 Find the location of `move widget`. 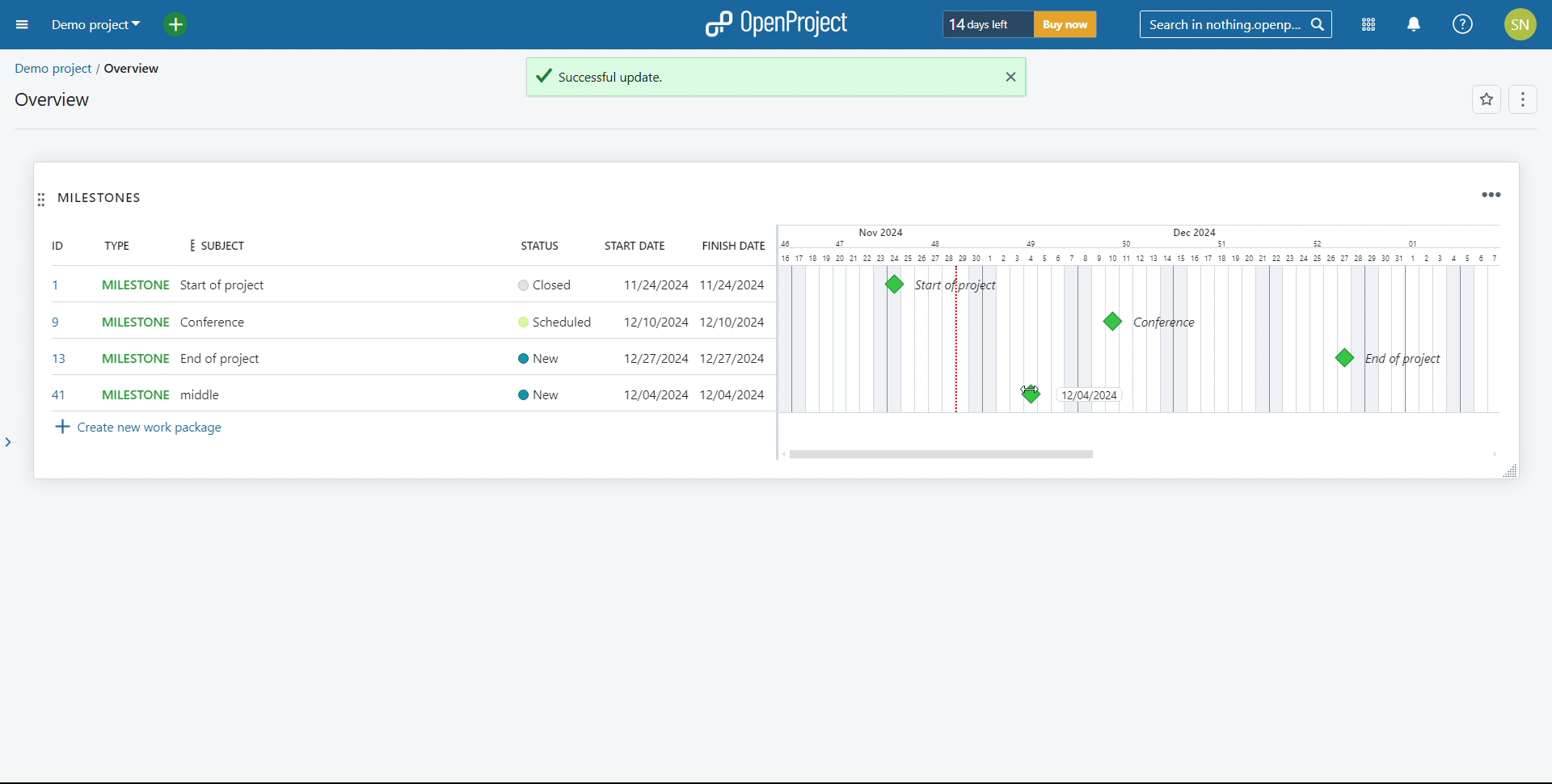

move widget is located at coordinates (41, 199).